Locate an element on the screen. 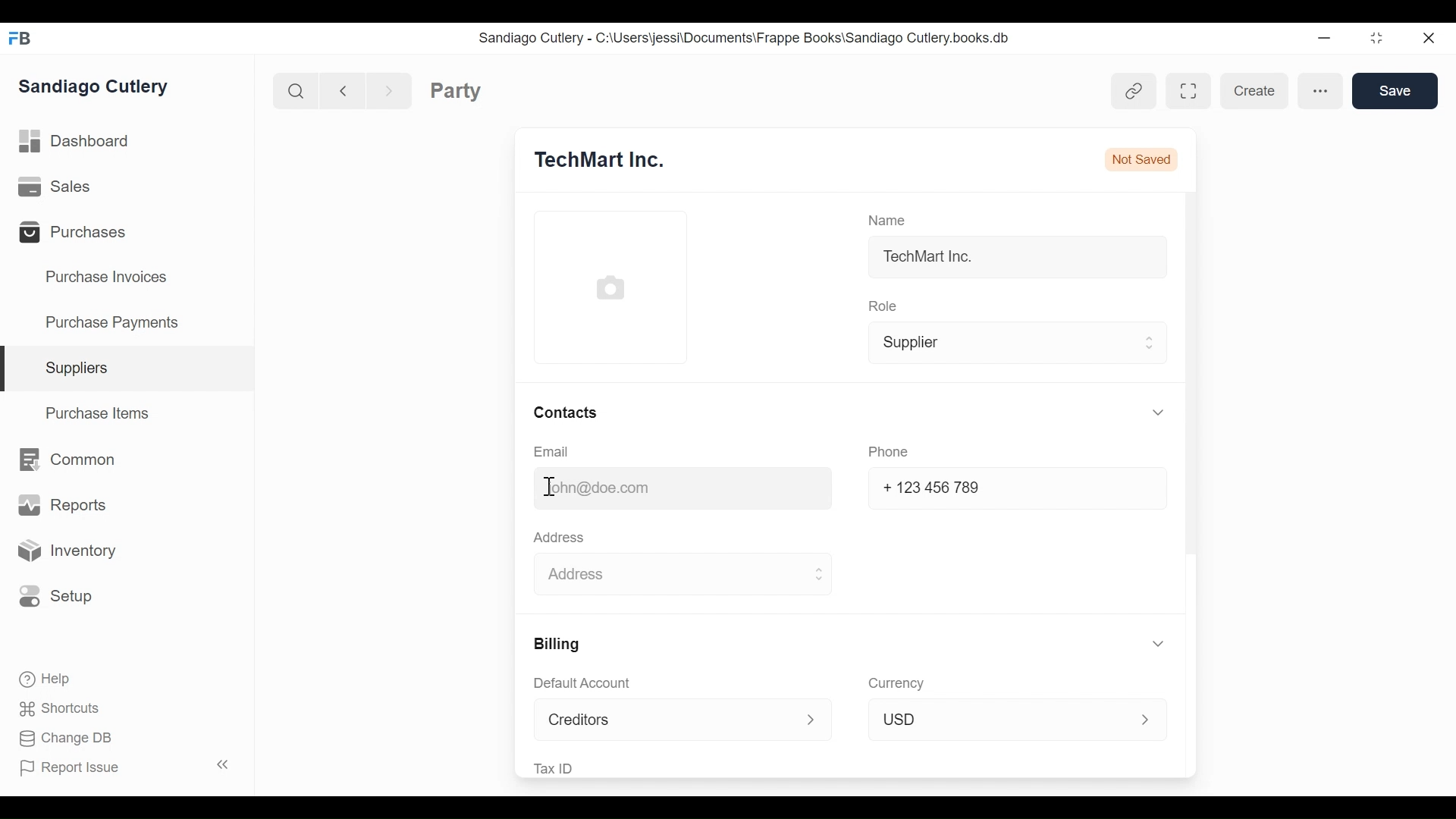 Image resolution: width=1456 pixels, height=819 pixels. Party is located at coordinates (482, 91).